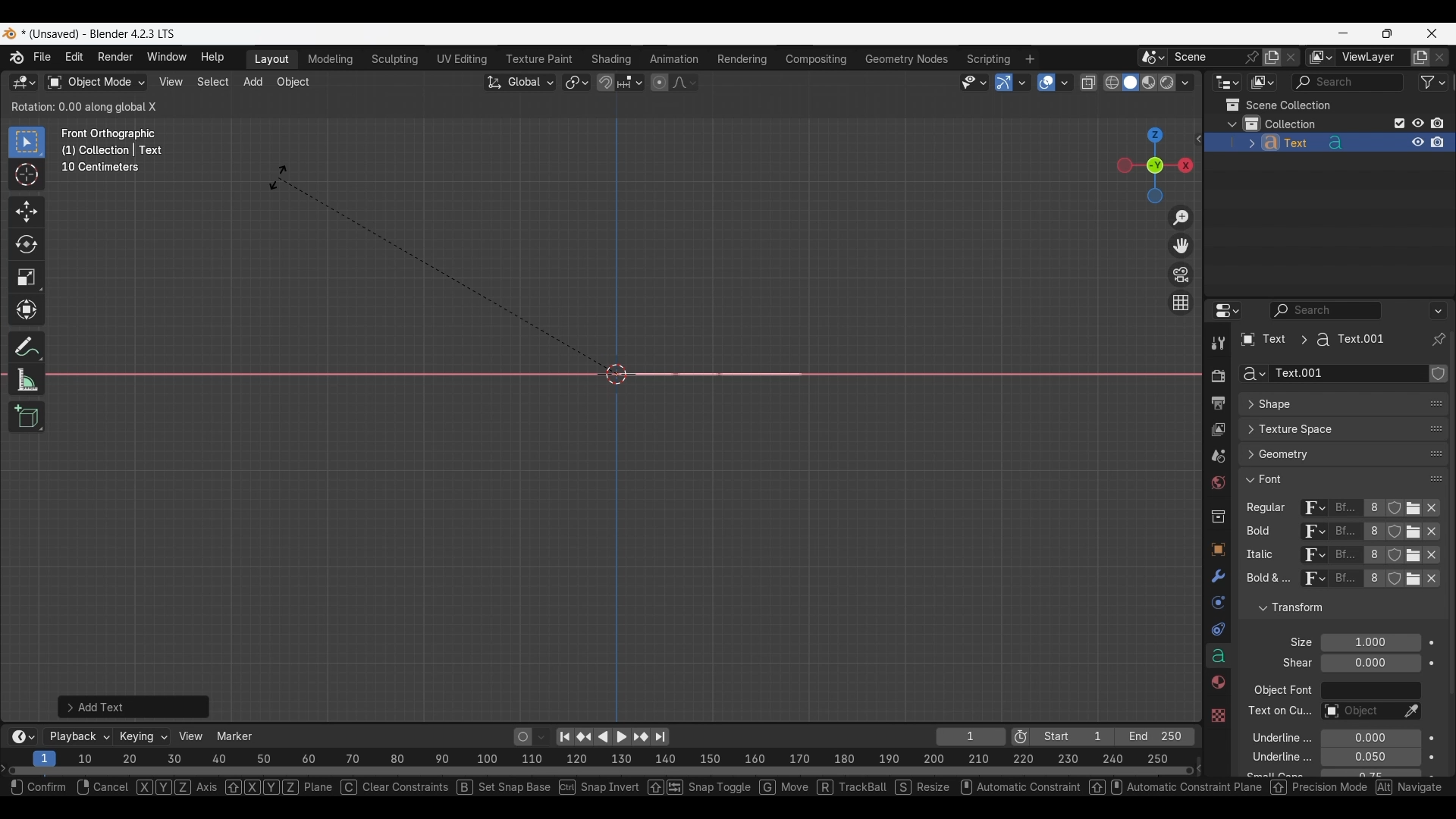 This screenshot has width=1456, height=819. What do you see at coordinates (1387, 33) in the screenshot?
I see `Show interface in a smaller tab` at bounding box center [1387, 33].